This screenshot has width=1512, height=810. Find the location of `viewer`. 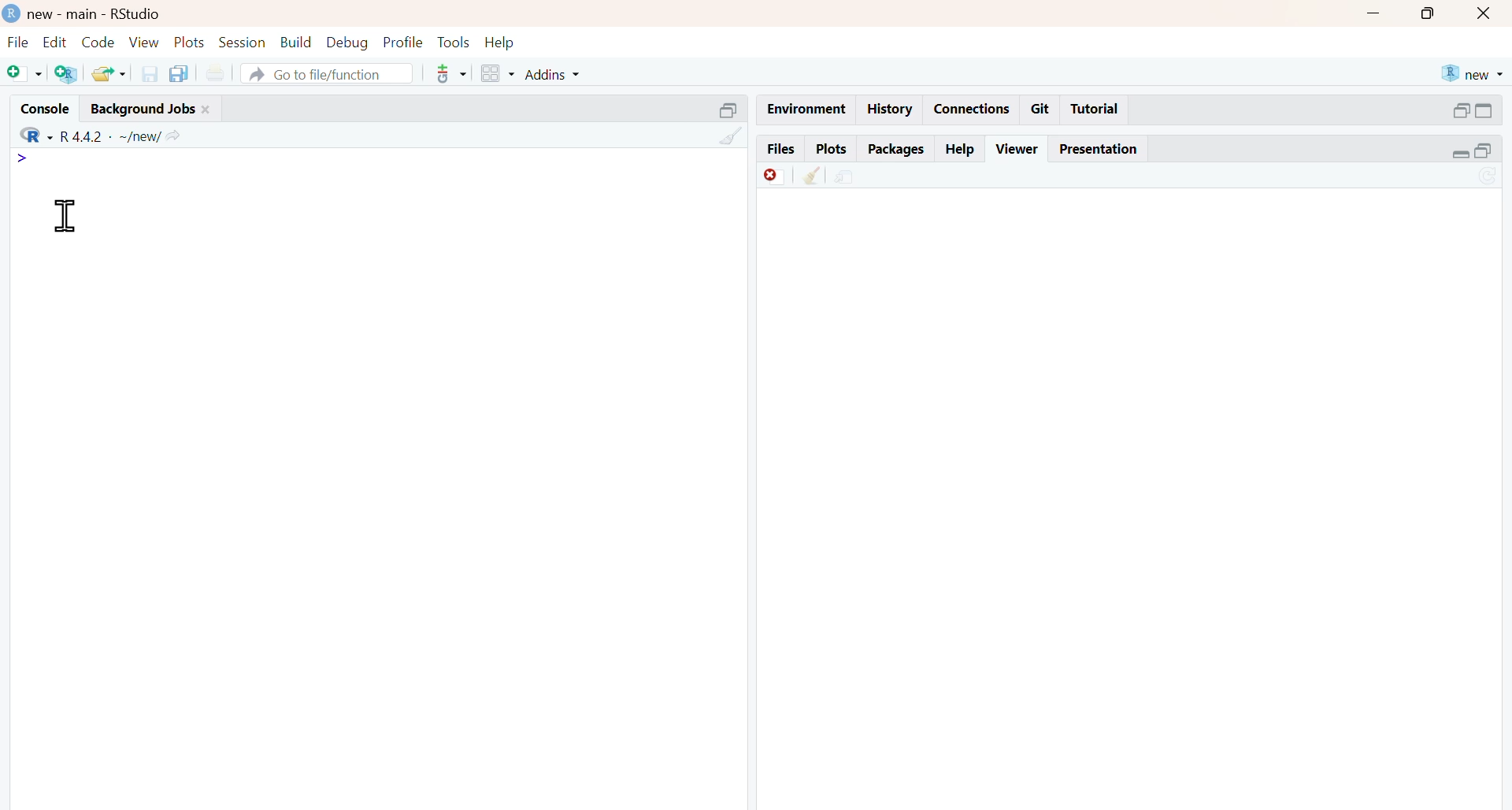

viewer is located at coordinates (1019, 149).